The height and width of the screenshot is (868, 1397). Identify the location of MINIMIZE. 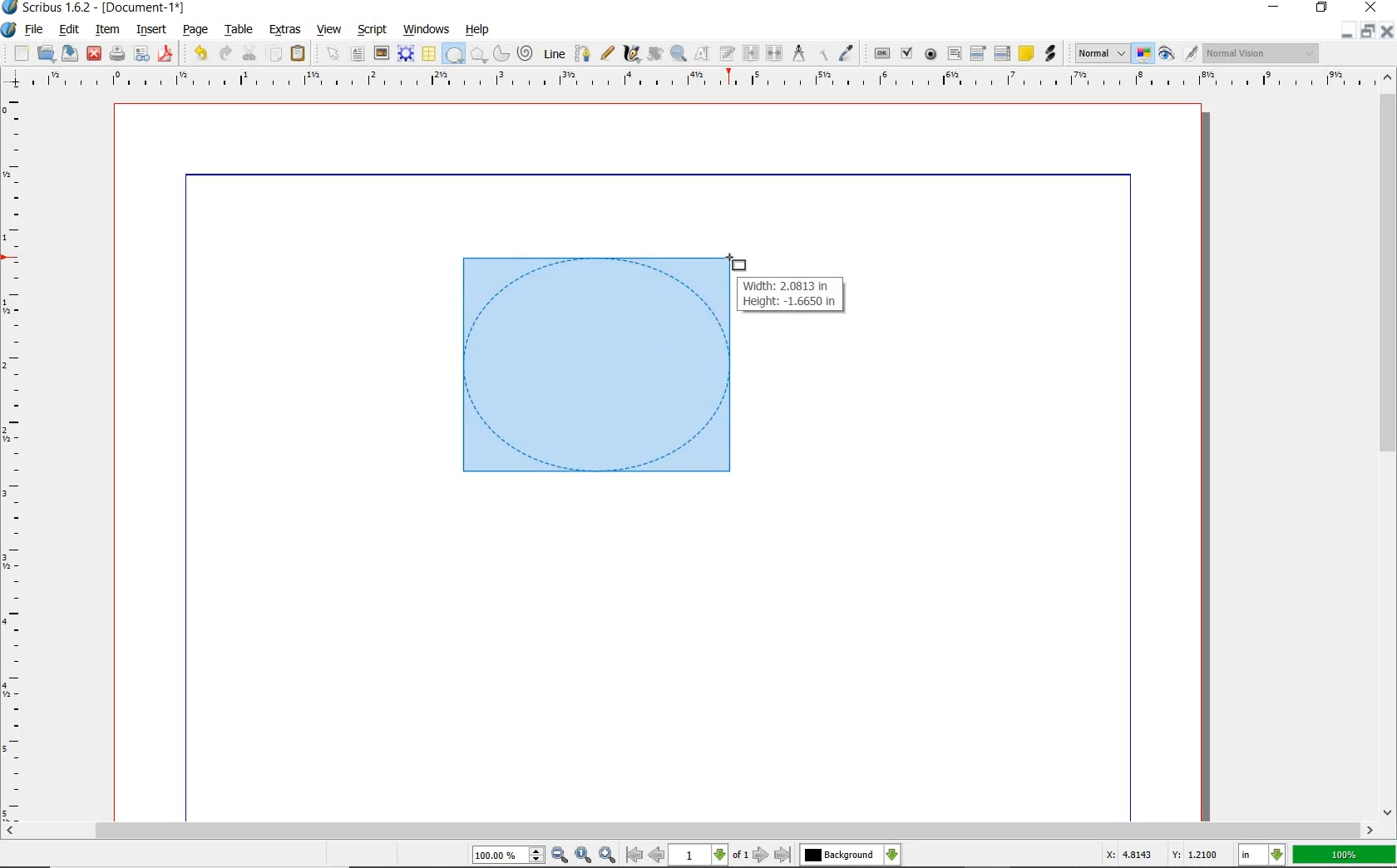
(1276, 6).